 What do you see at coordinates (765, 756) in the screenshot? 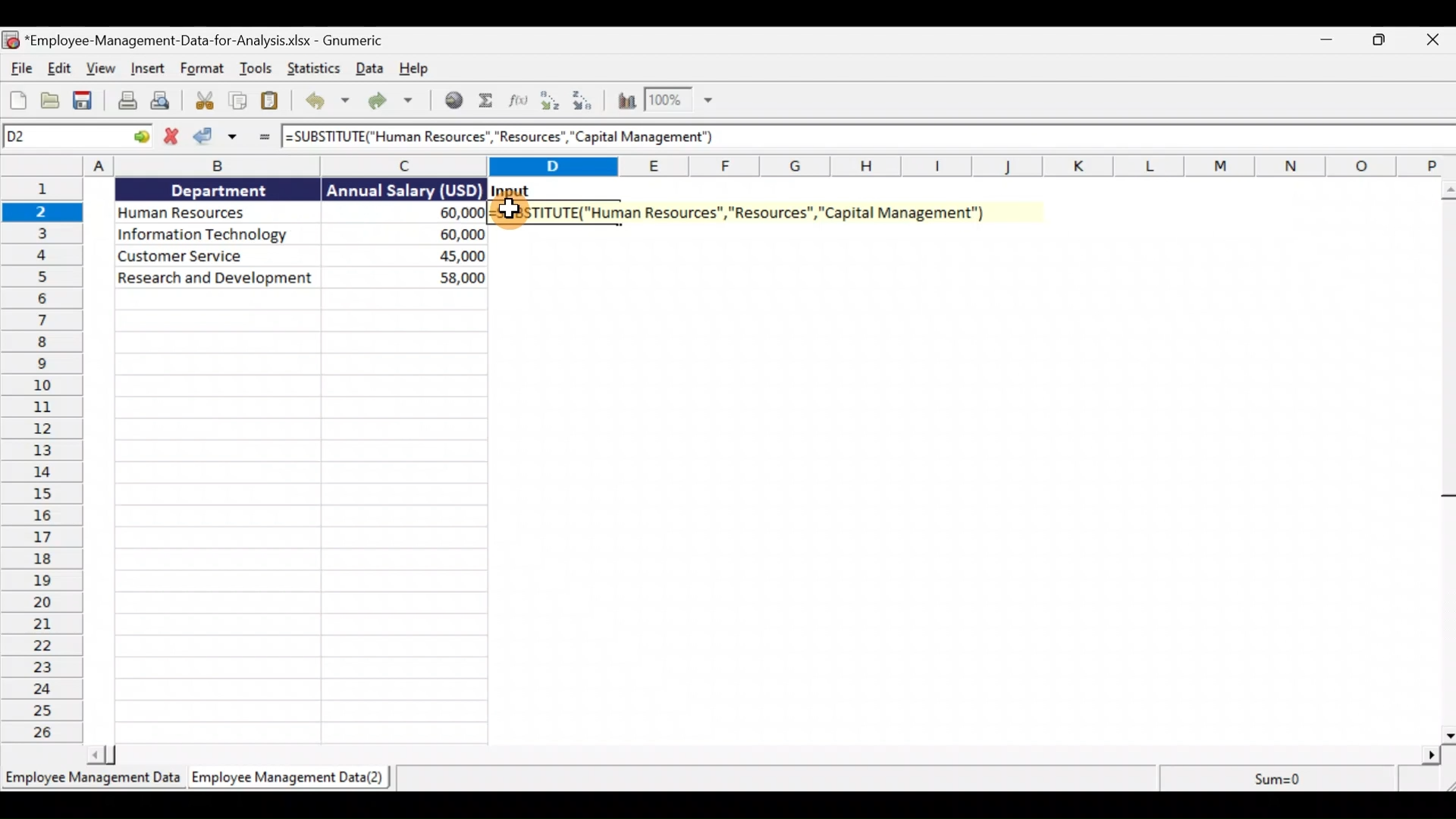
I see `scroll bar` at bounding box center [765, 756].